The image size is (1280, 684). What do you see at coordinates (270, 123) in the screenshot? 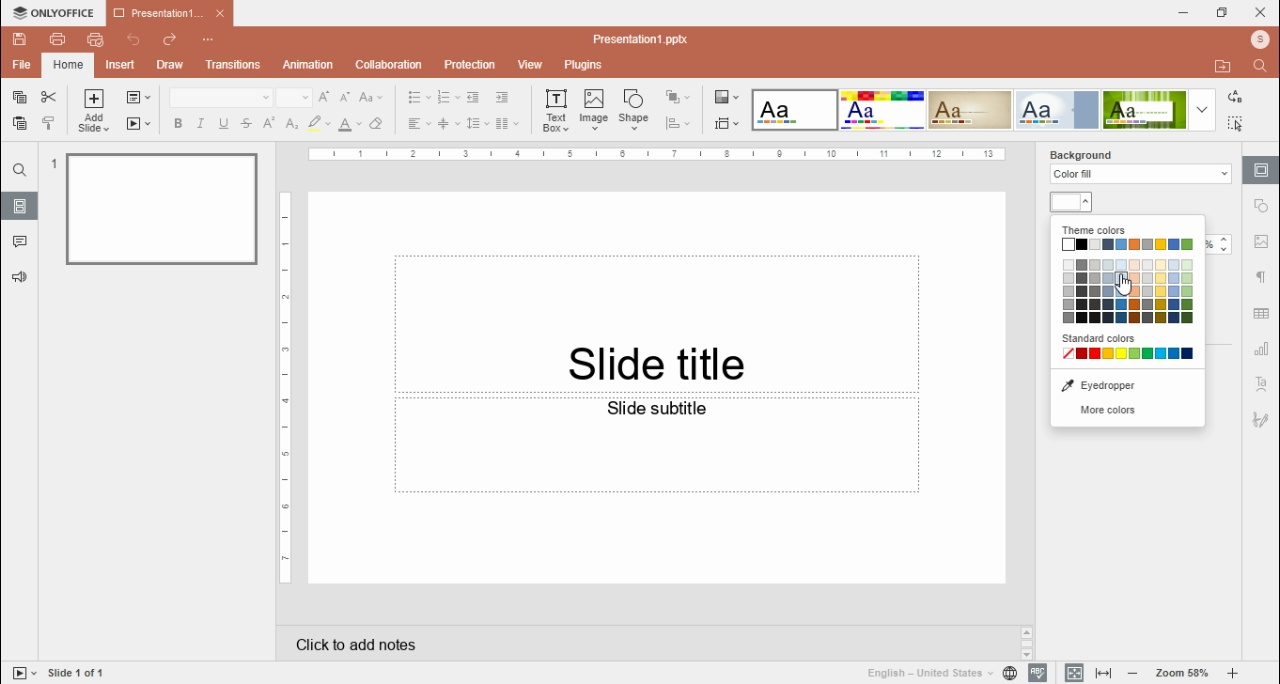
I see `superscript` at bounding box center [270, 123].